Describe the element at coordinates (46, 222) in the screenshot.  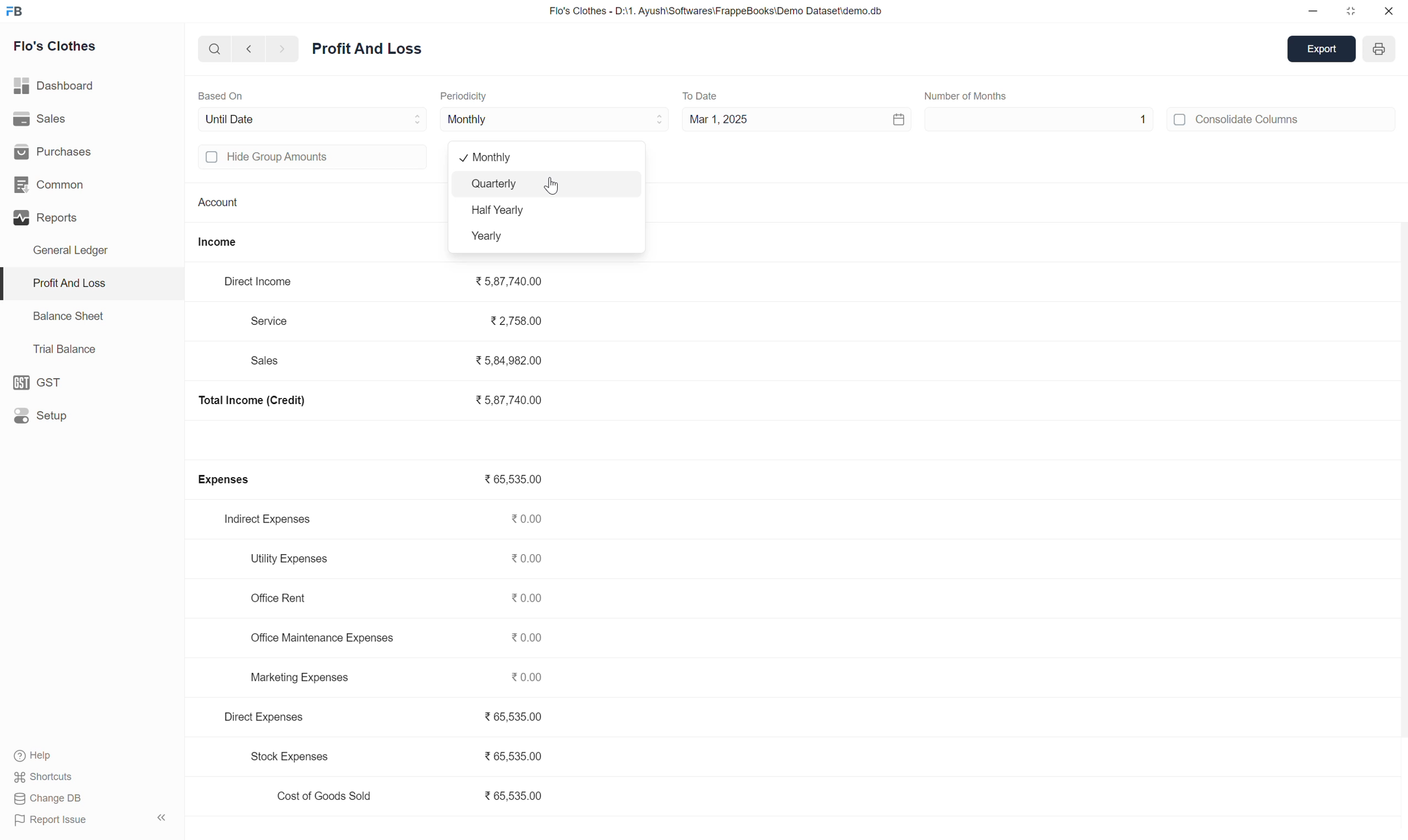
I see `Reports` at that location.